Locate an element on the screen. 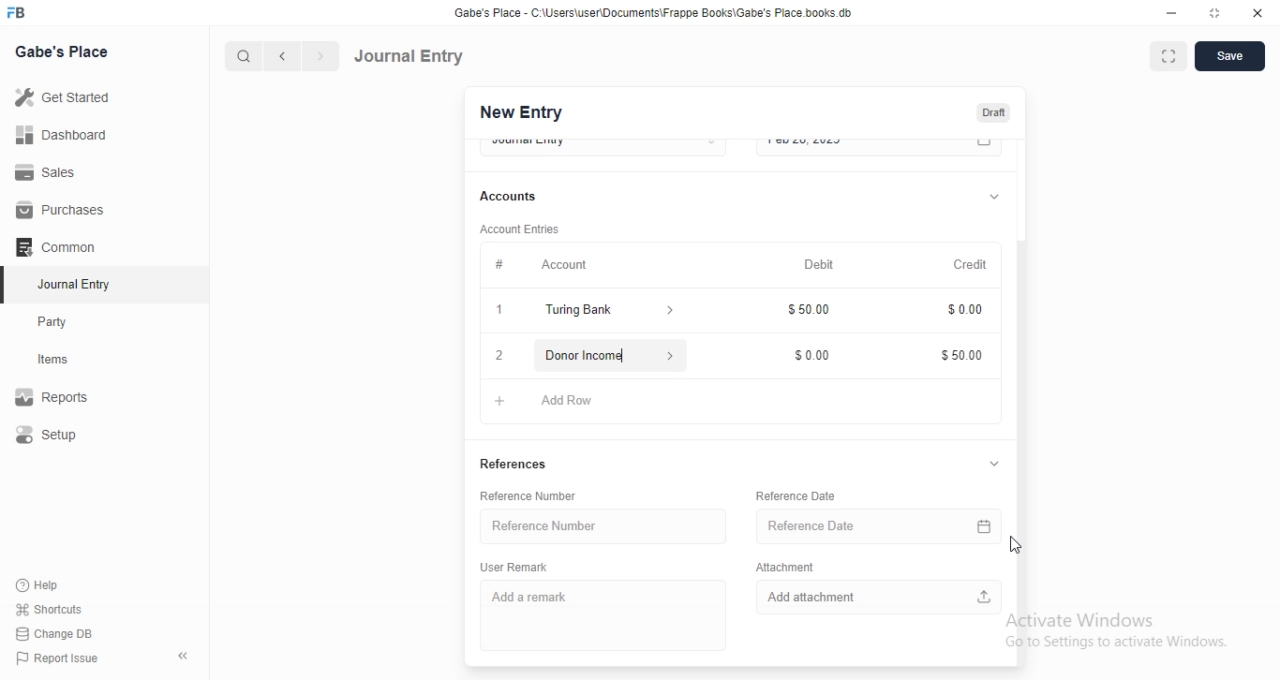 Image resolution: width=1280 pixels, height=680 pixels. Credit is located at coordinates (972, 265).